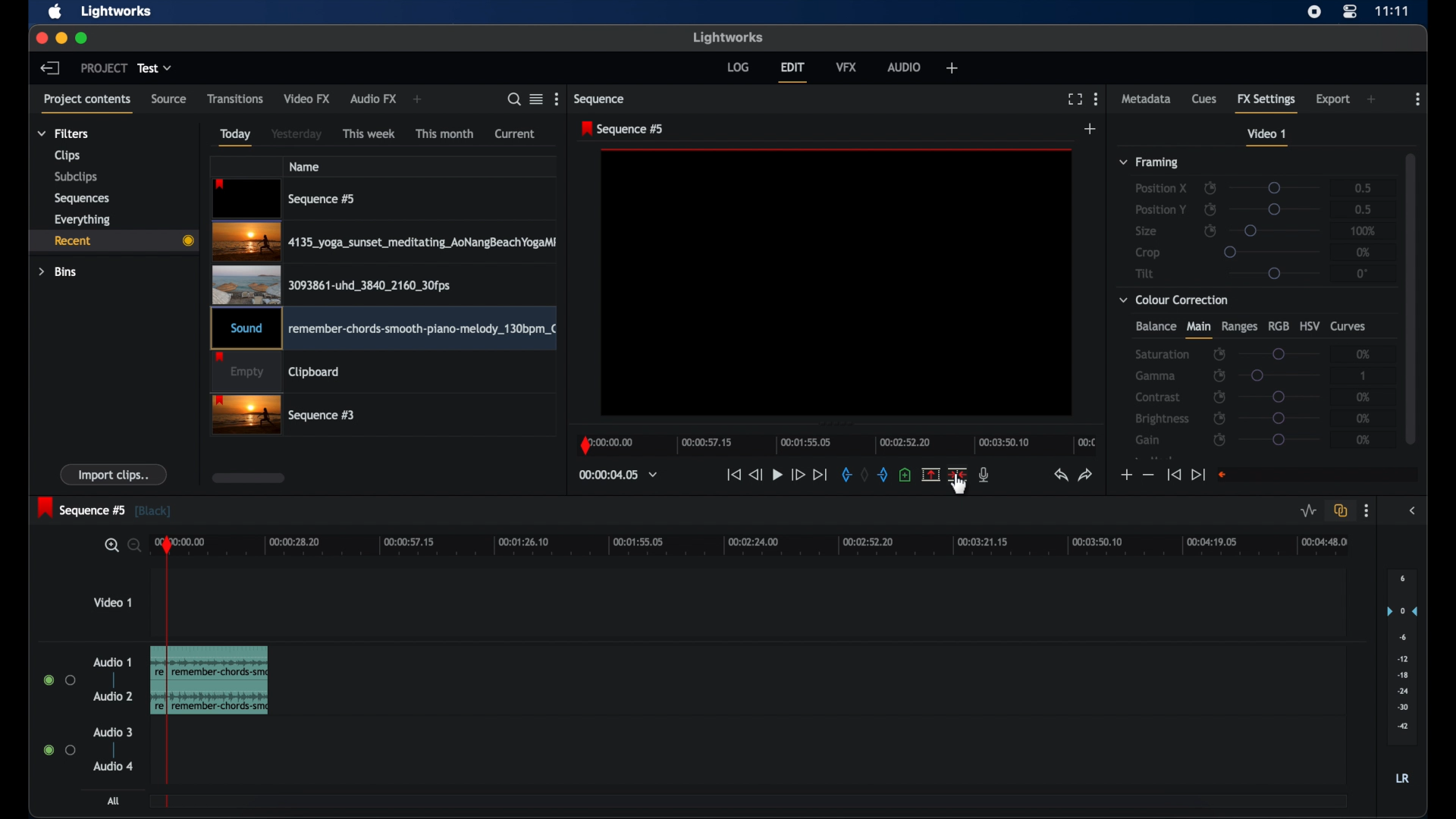 This screenshot has height=819, width=1456. I want to click on contrast, so click(1157, 397).